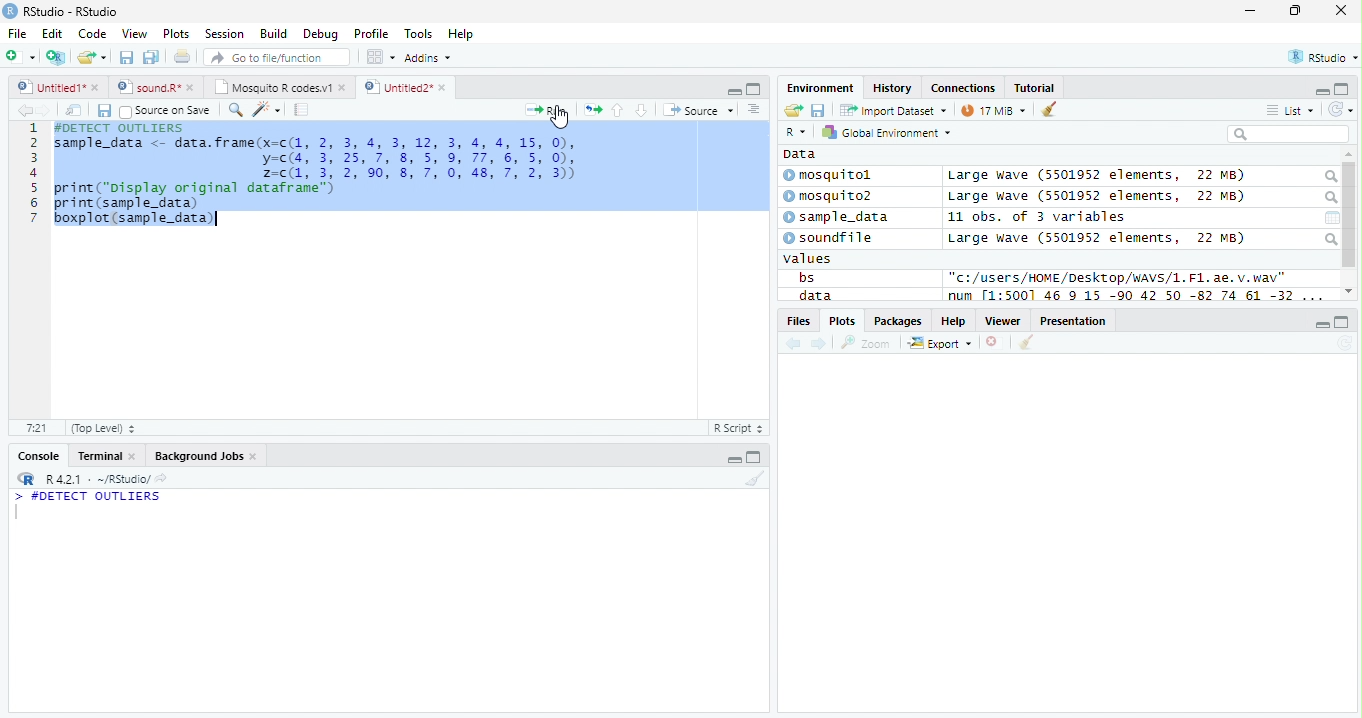 The height and width of the screenshot is (718, 1362). Describe the element at coordinates (561, 118) in the screenshot. I see `cursor` at that location.